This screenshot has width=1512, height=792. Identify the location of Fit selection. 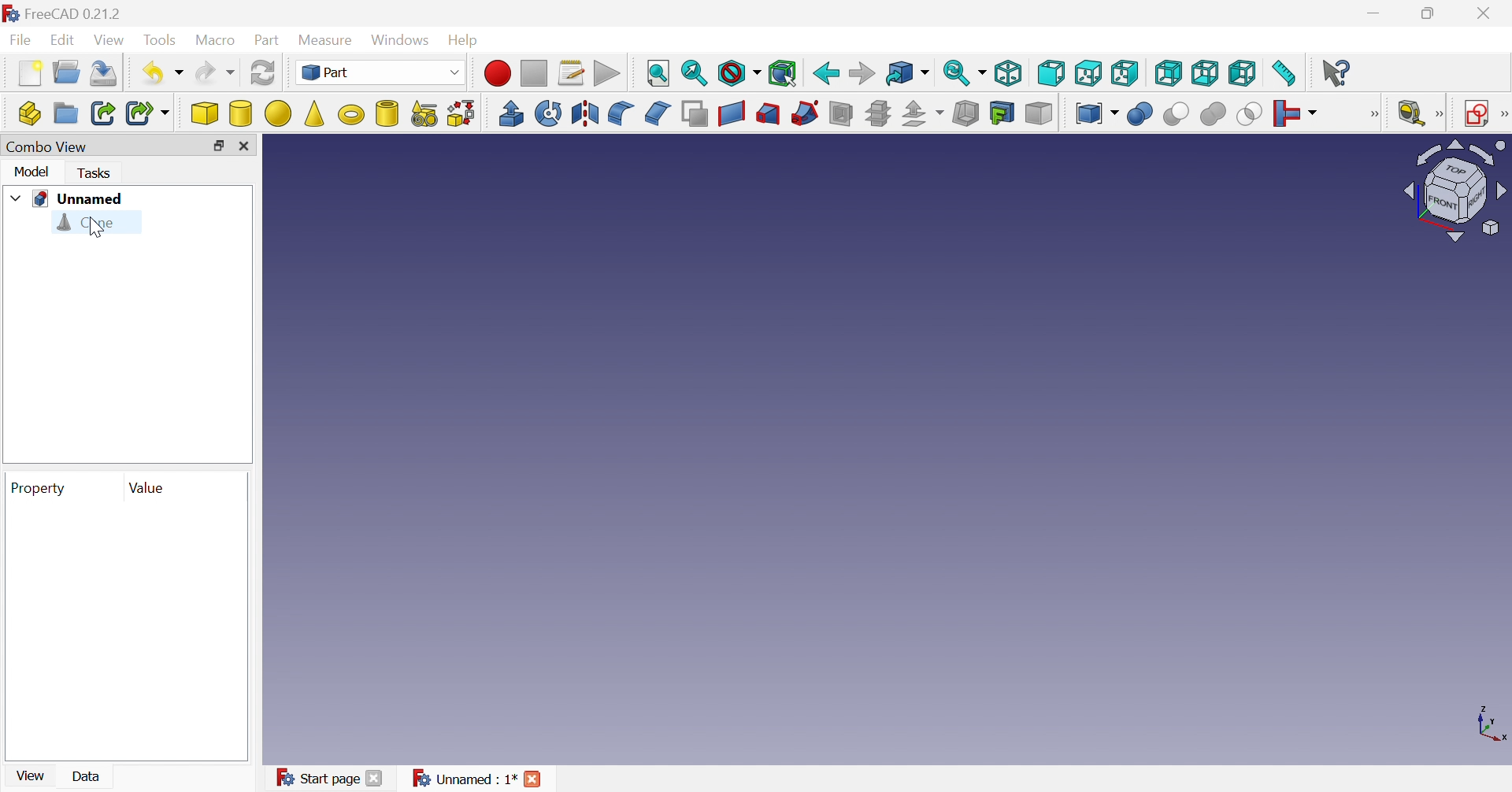
(694, 73).